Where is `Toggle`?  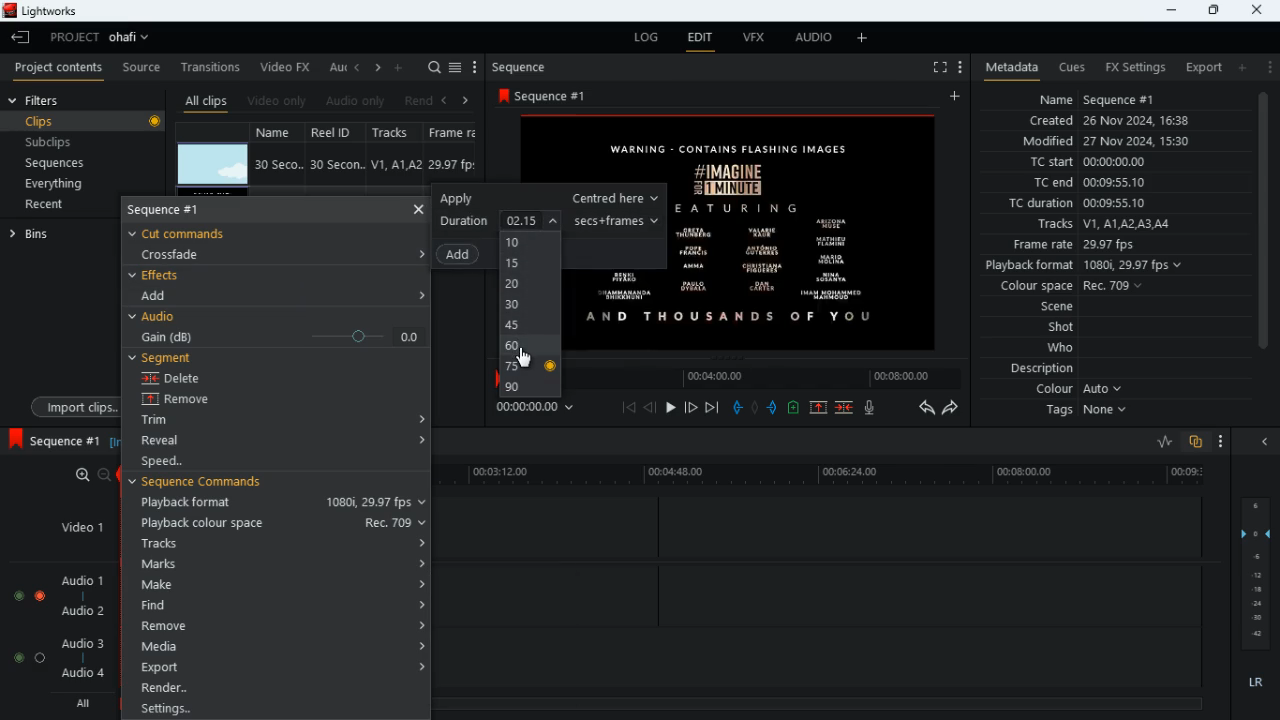 Toggle is located at coordinates (40, 593).